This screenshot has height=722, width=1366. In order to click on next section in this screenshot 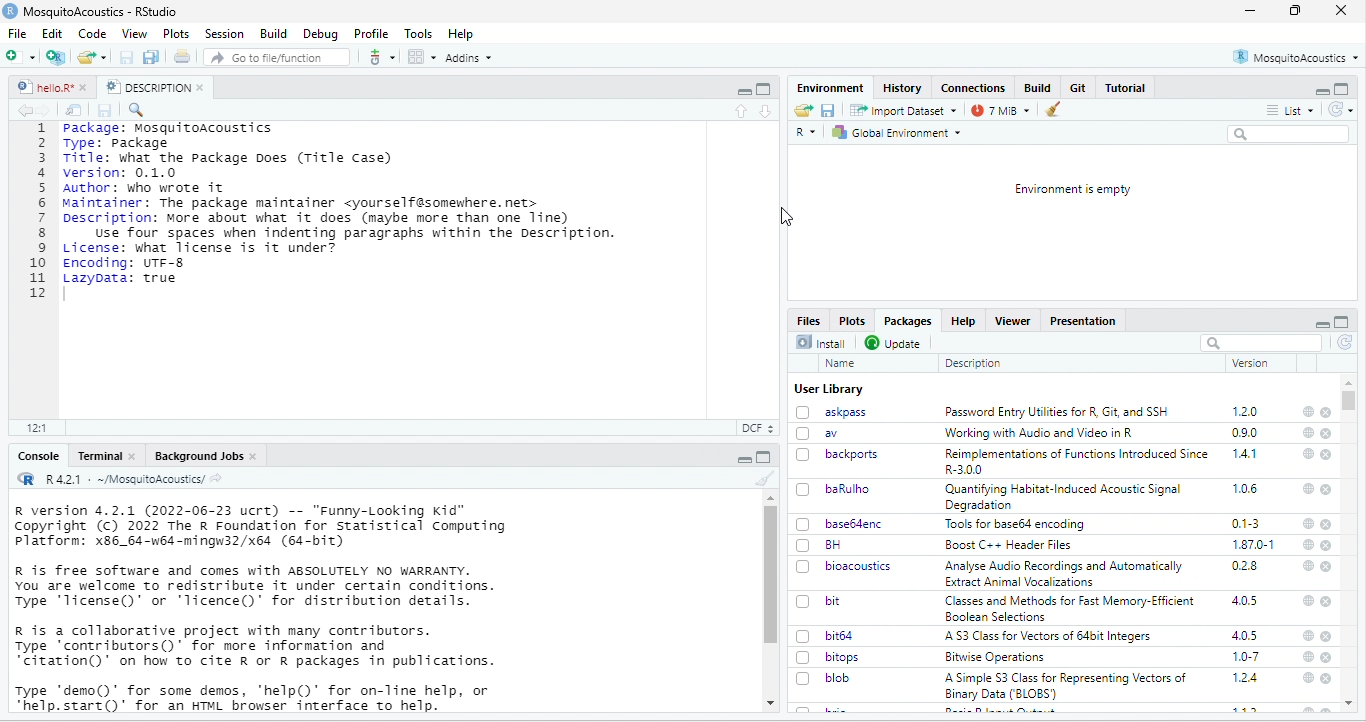, I will do `click(765, 112)`.